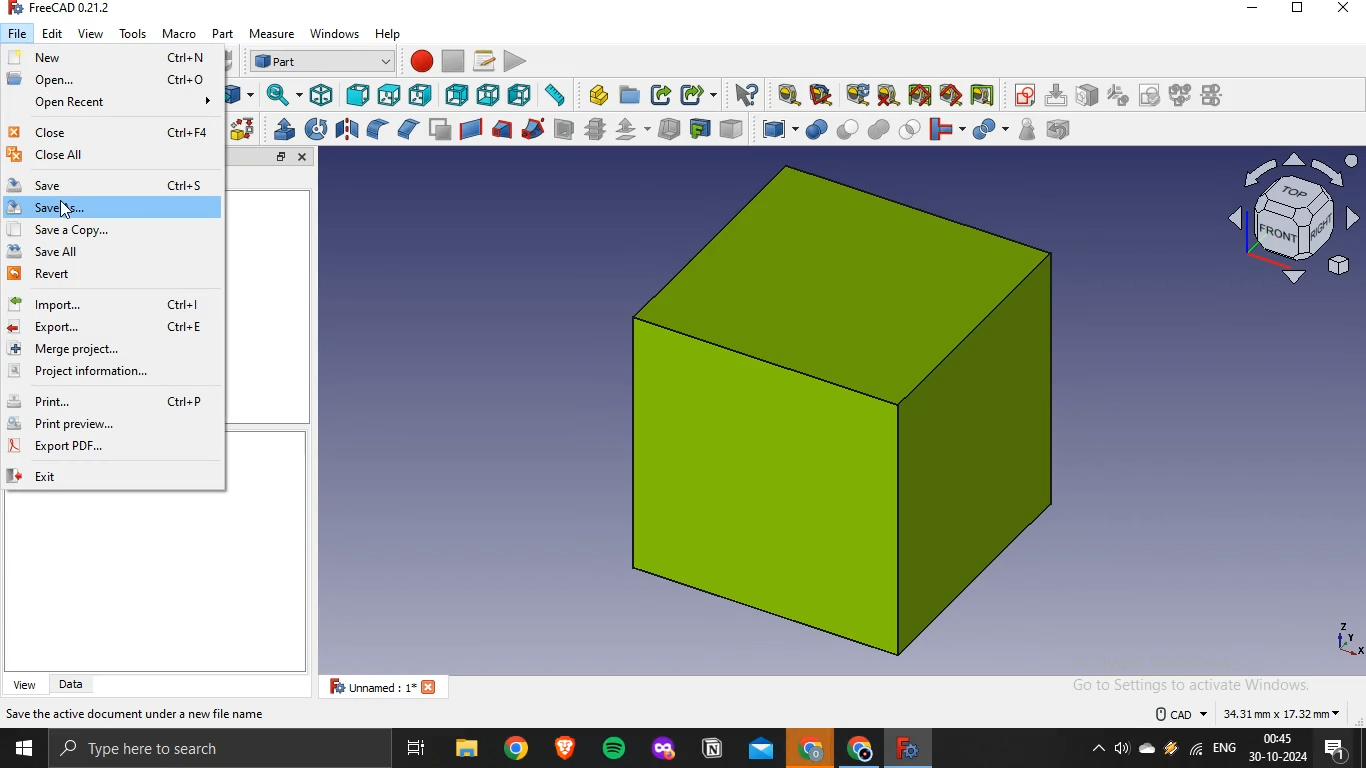  I want to click on boolean, so click(816, 128).